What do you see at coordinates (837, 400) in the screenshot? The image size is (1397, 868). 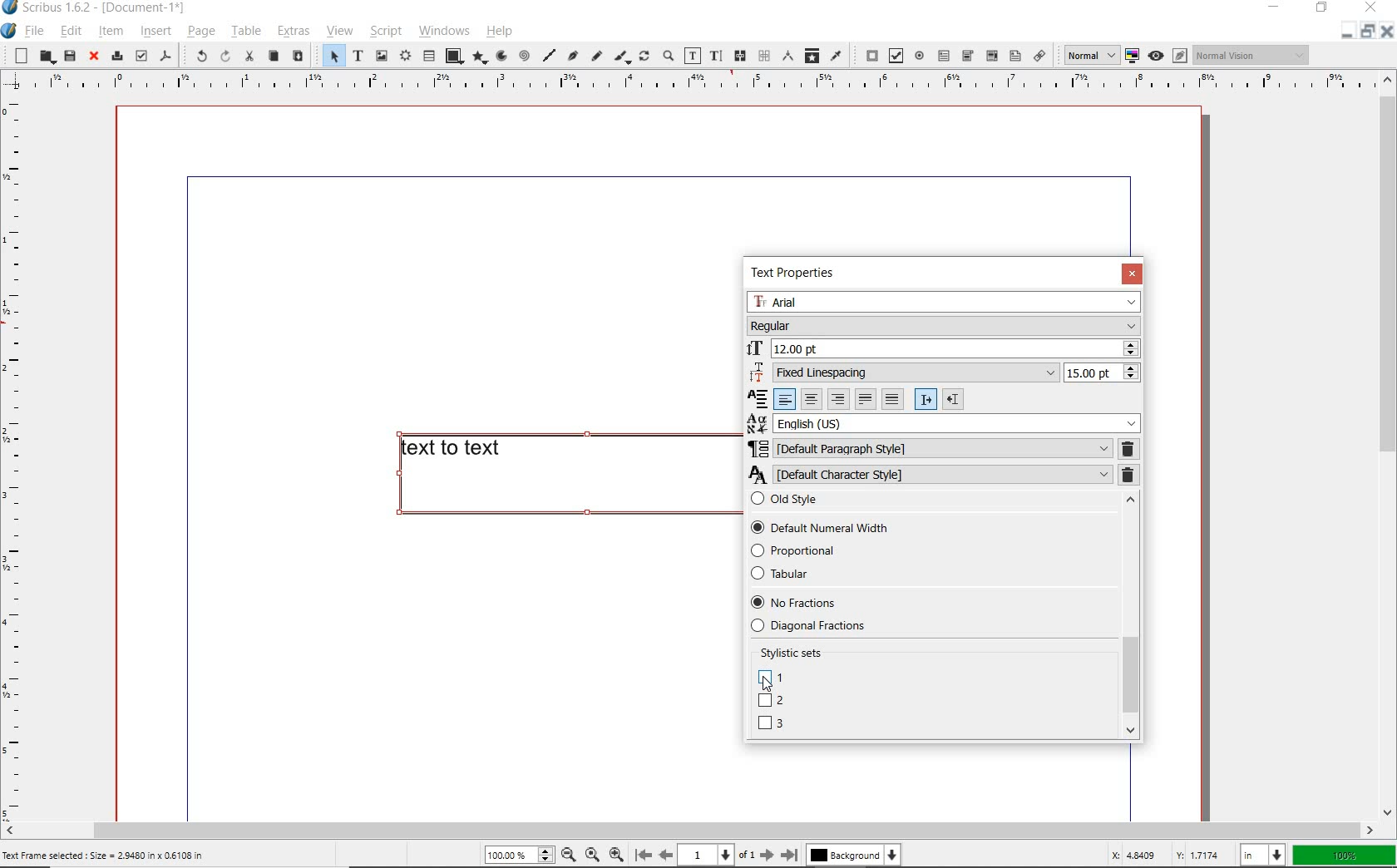 I see `Right align` at bounding box center [837, 400].